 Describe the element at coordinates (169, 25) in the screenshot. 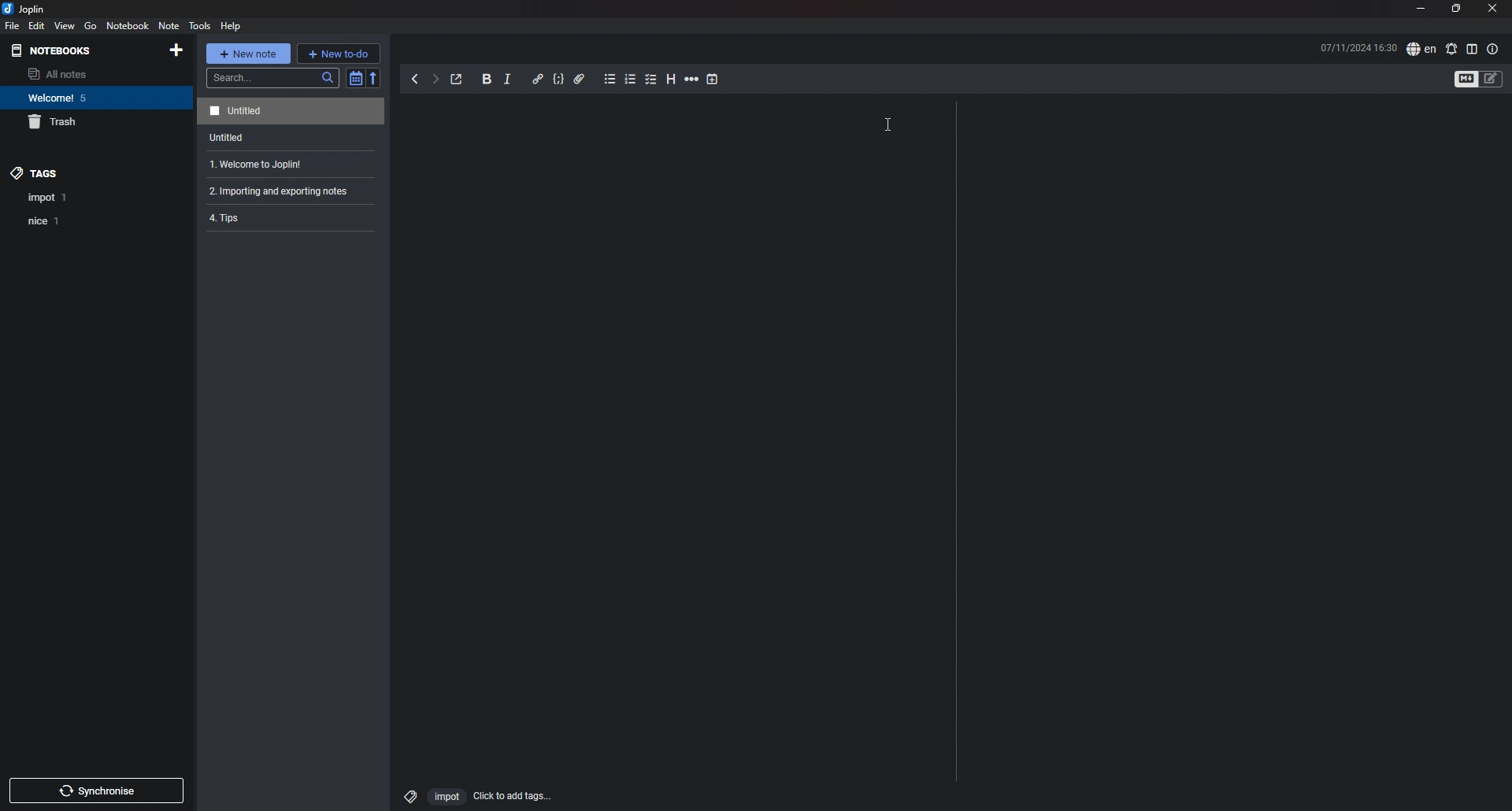

I see `note` at that location.